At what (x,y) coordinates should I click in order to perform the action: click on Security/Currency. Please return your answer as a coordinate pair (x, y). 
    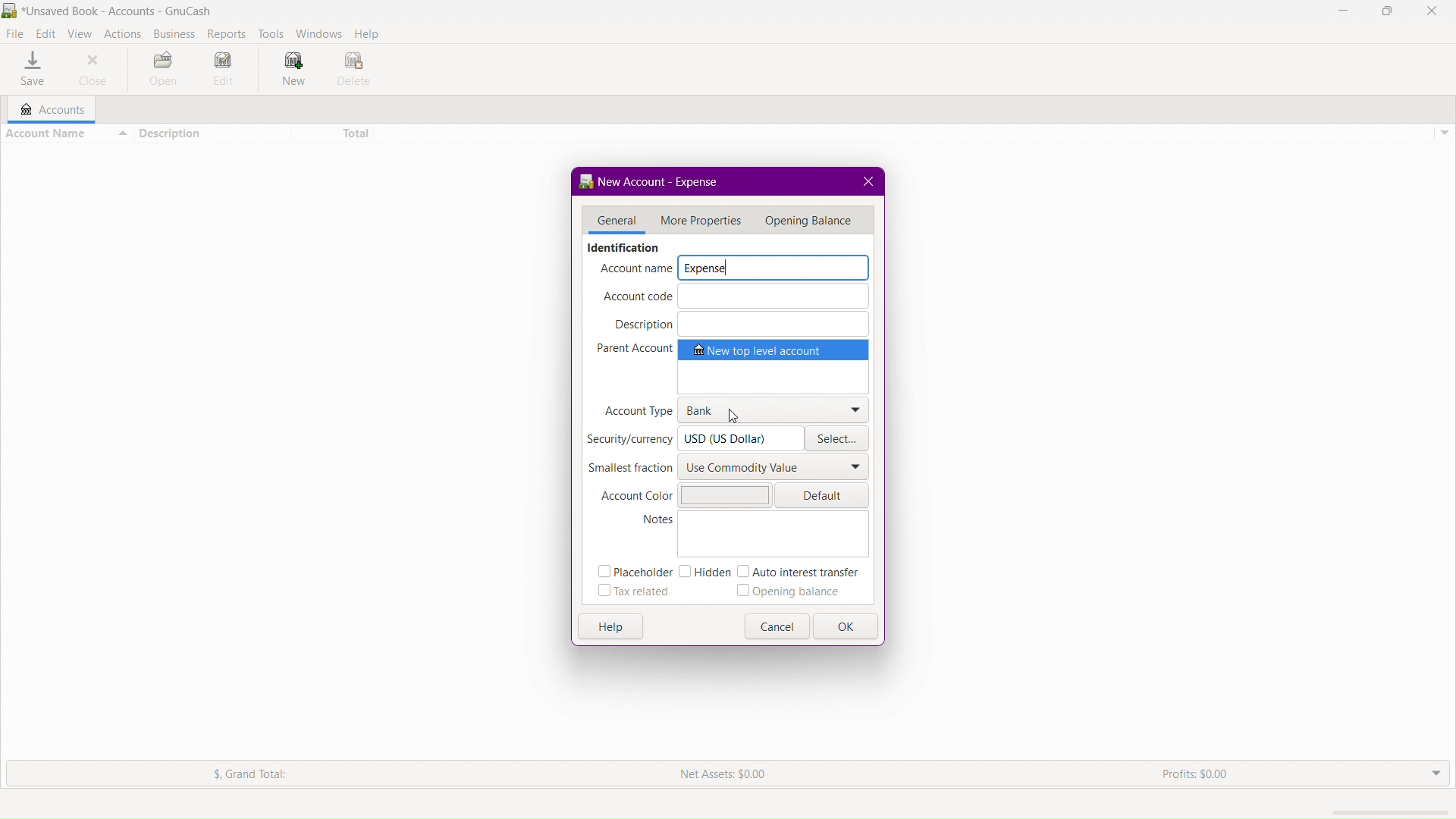
    Looking at the image, I should click on (693, 438).